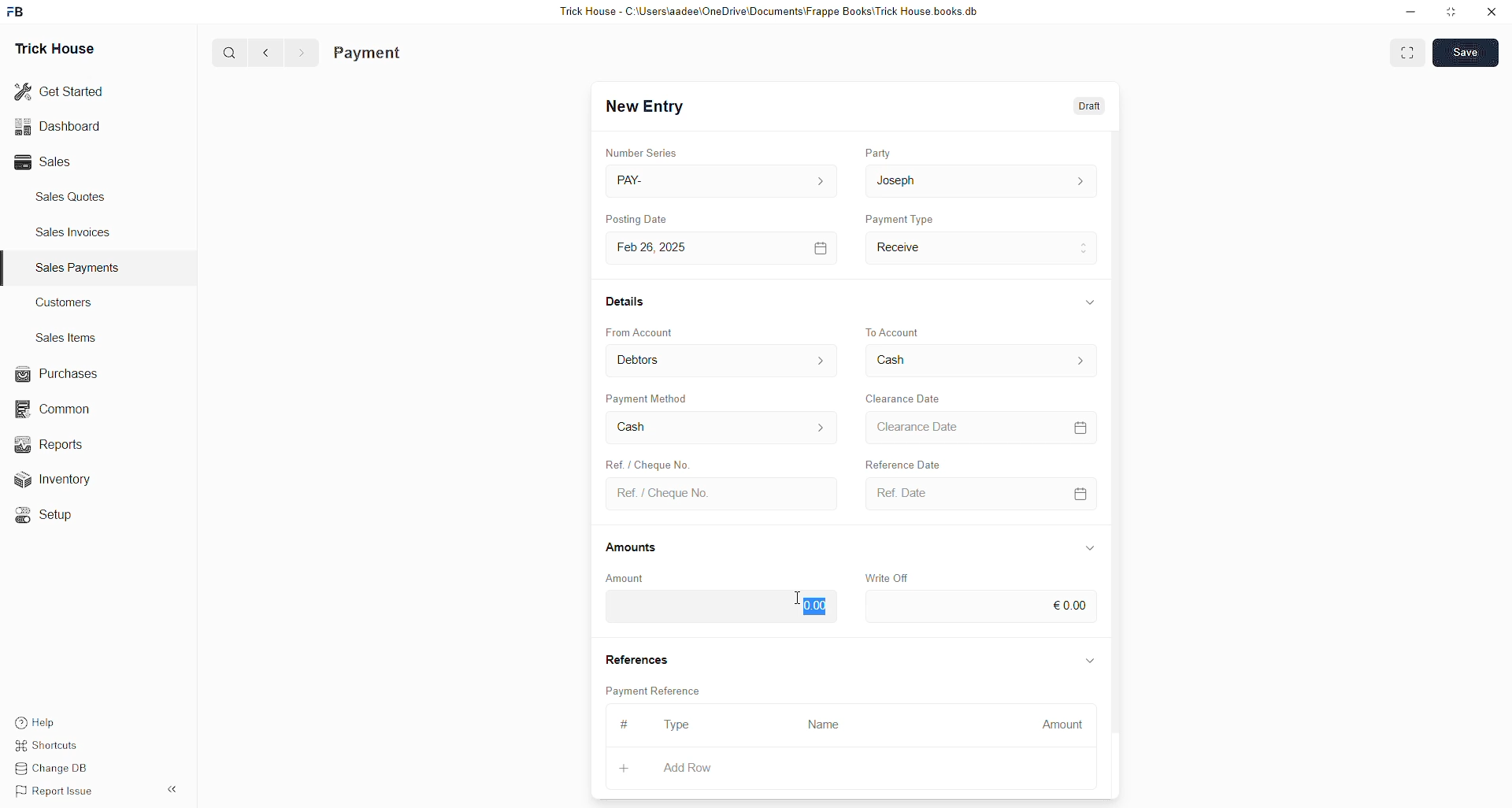 Image resolution: width=1512 pixels, height=808 pixels. Describe the element at coordinates (895, 332) in the screenshot. I see `To Account` at that location.